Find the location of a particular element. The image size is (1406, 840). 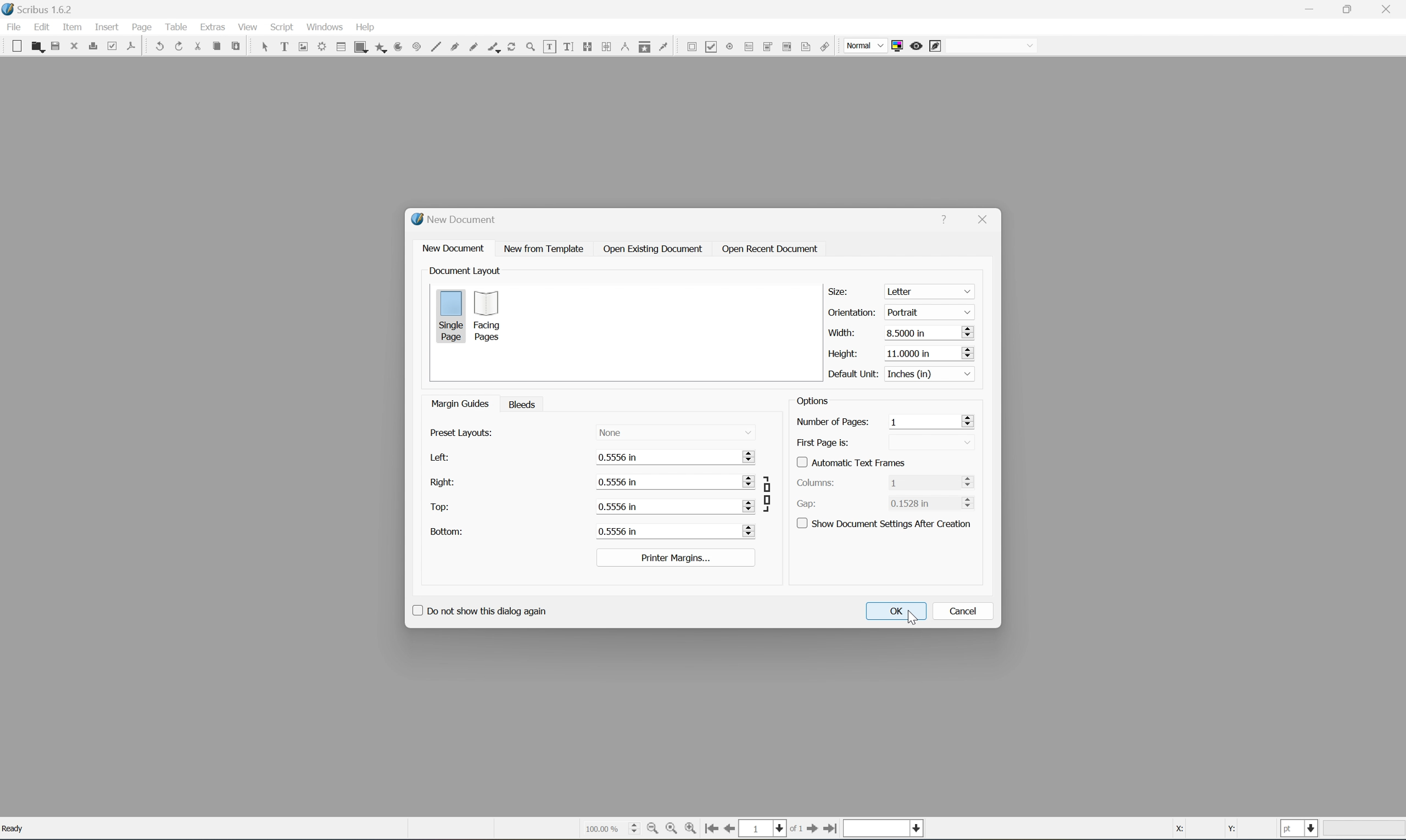

shape is located at coordinates (359, 46).